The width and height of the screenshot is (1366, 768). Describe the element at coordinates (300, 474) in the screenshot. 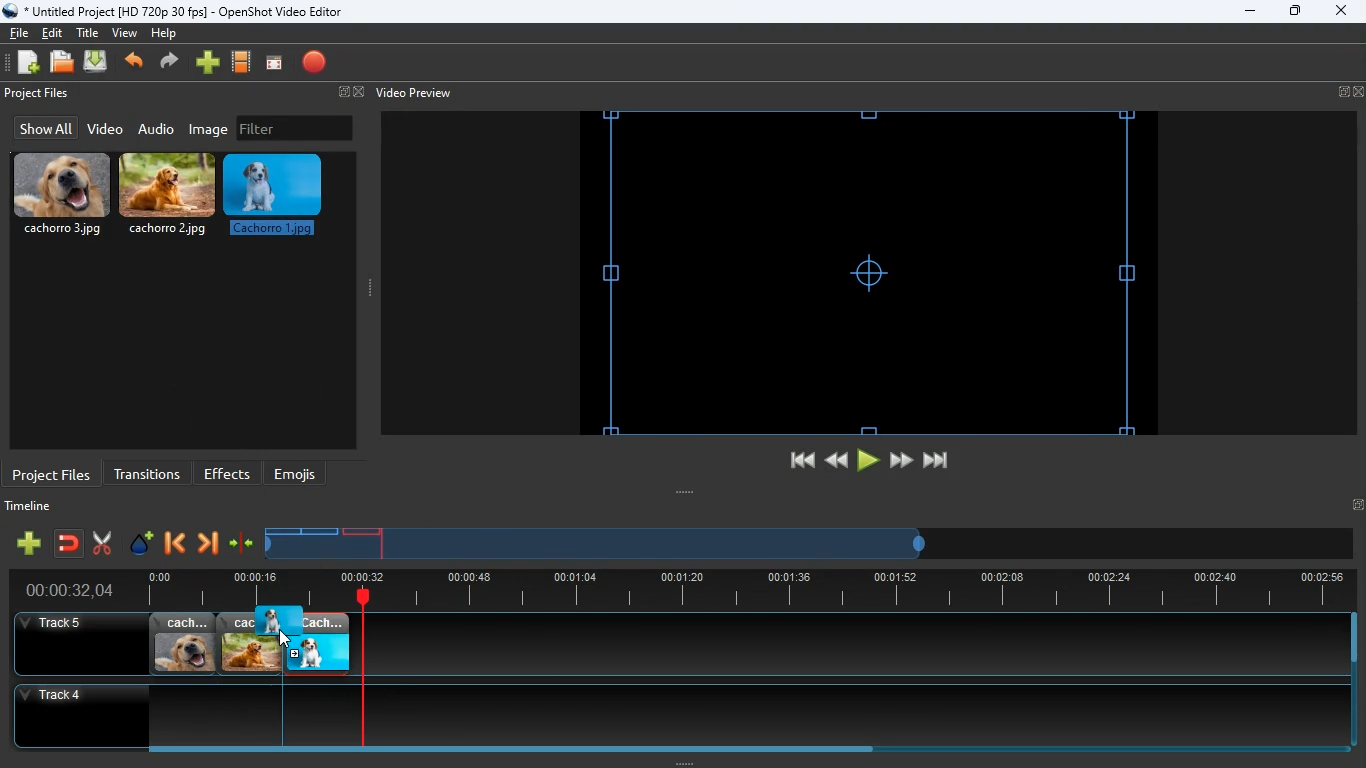

I see `emojis` at that location.